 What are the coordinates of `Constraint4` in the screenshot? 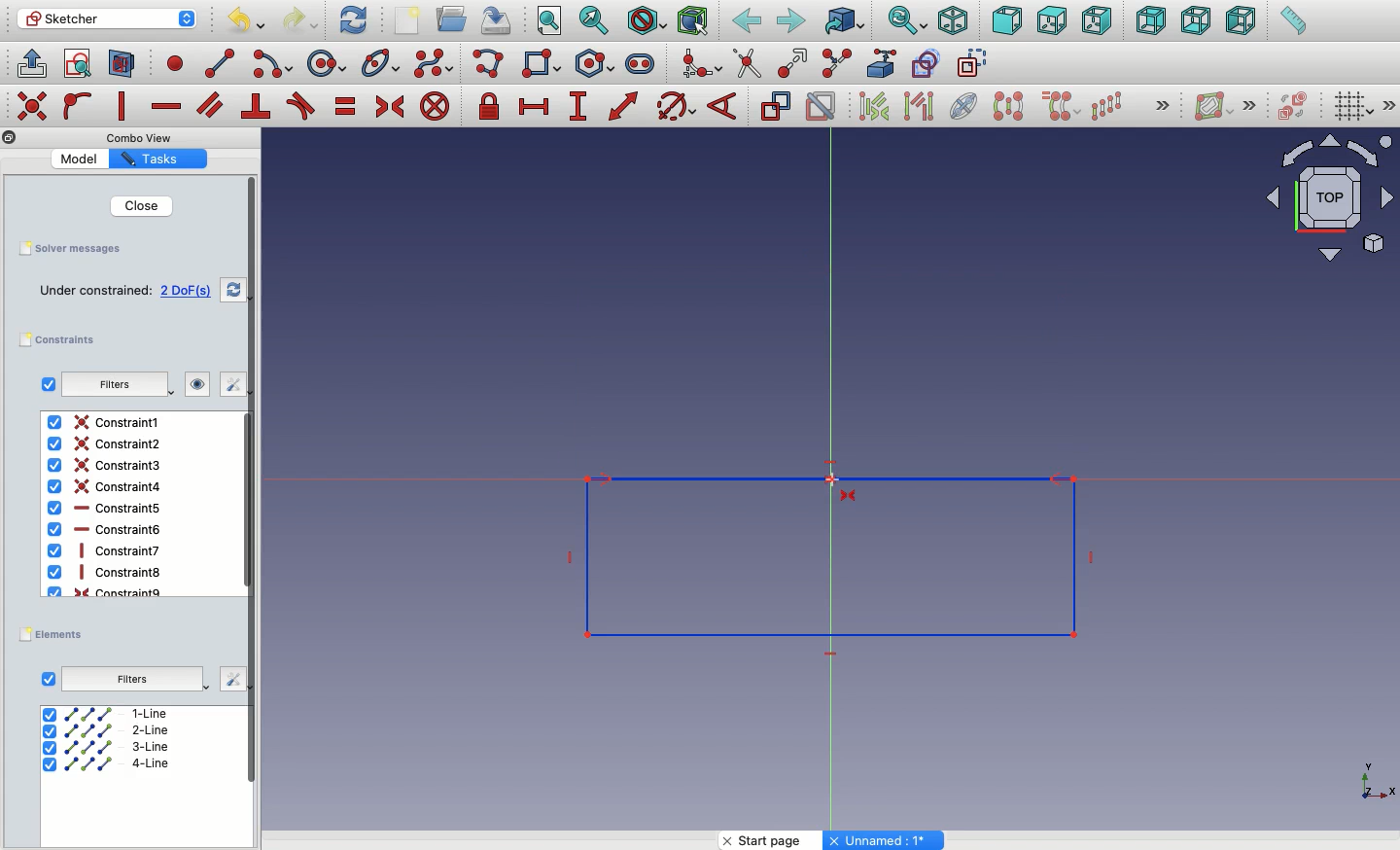 It's located at (106, 486).